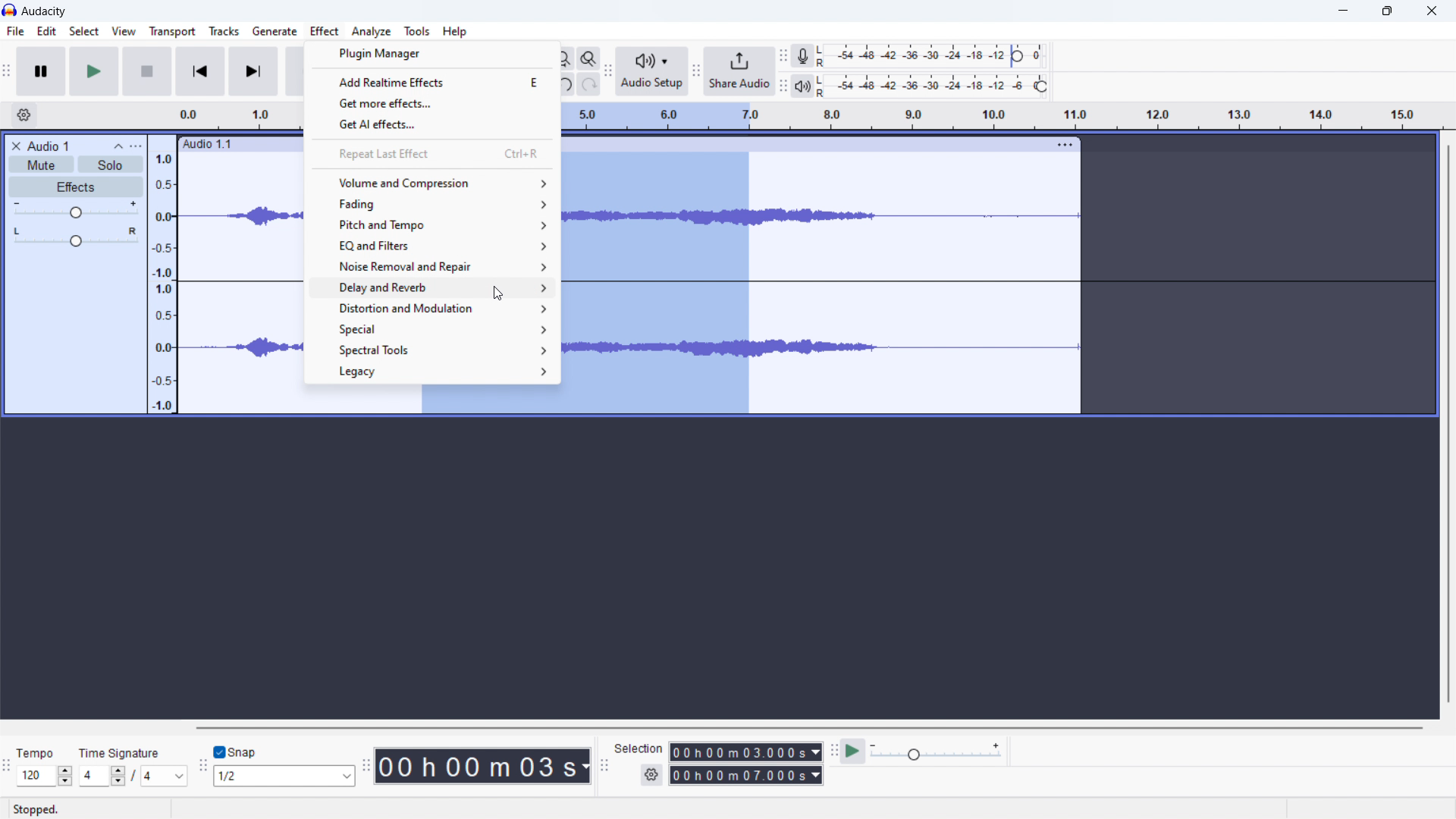  Describe the element at coordinates (286, 777) in the screenshot. I see `1/2` at that location.